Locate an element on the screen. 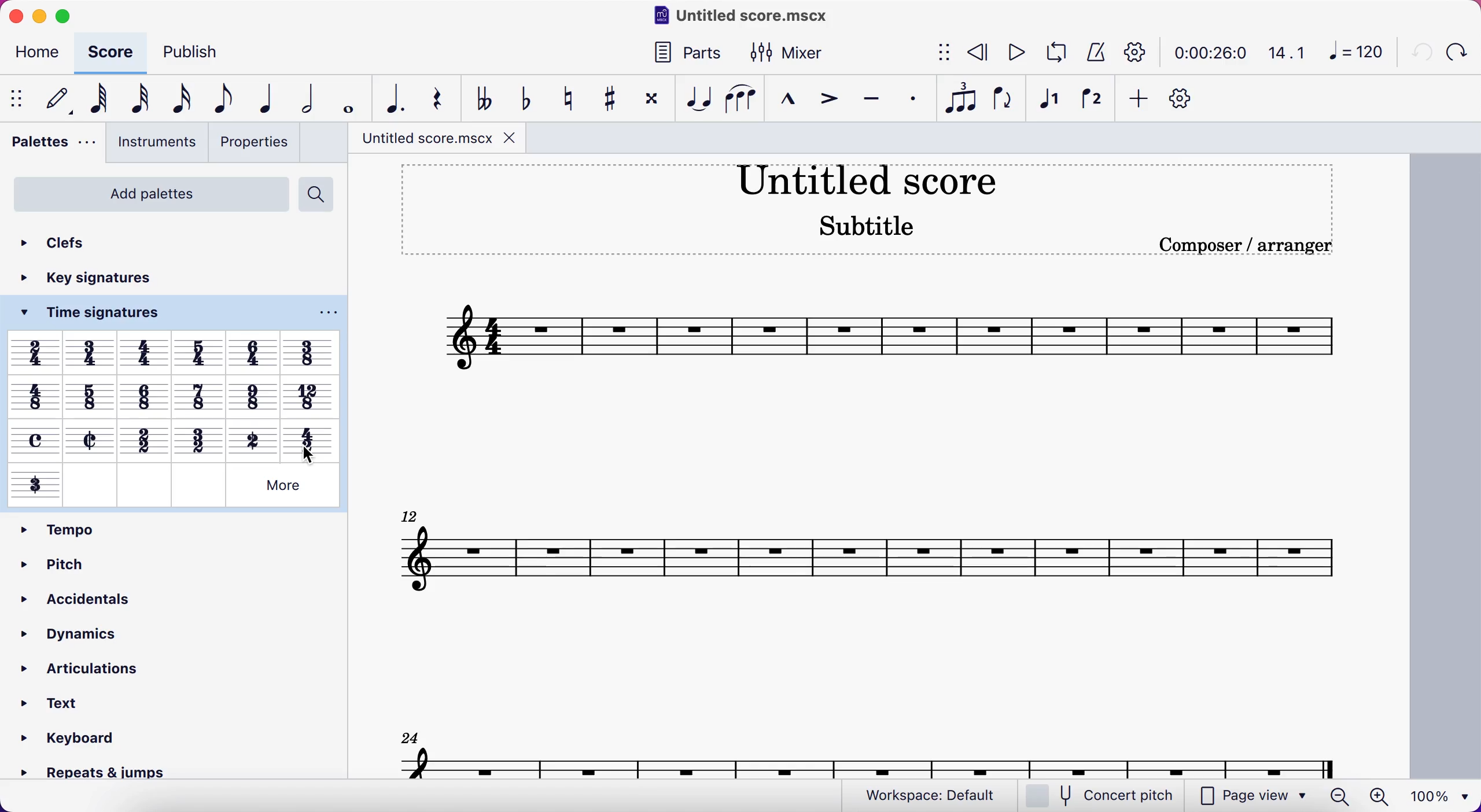 The width and height of the screenshot is (1481, 812). tenuto is located at coordinates (867, 98).